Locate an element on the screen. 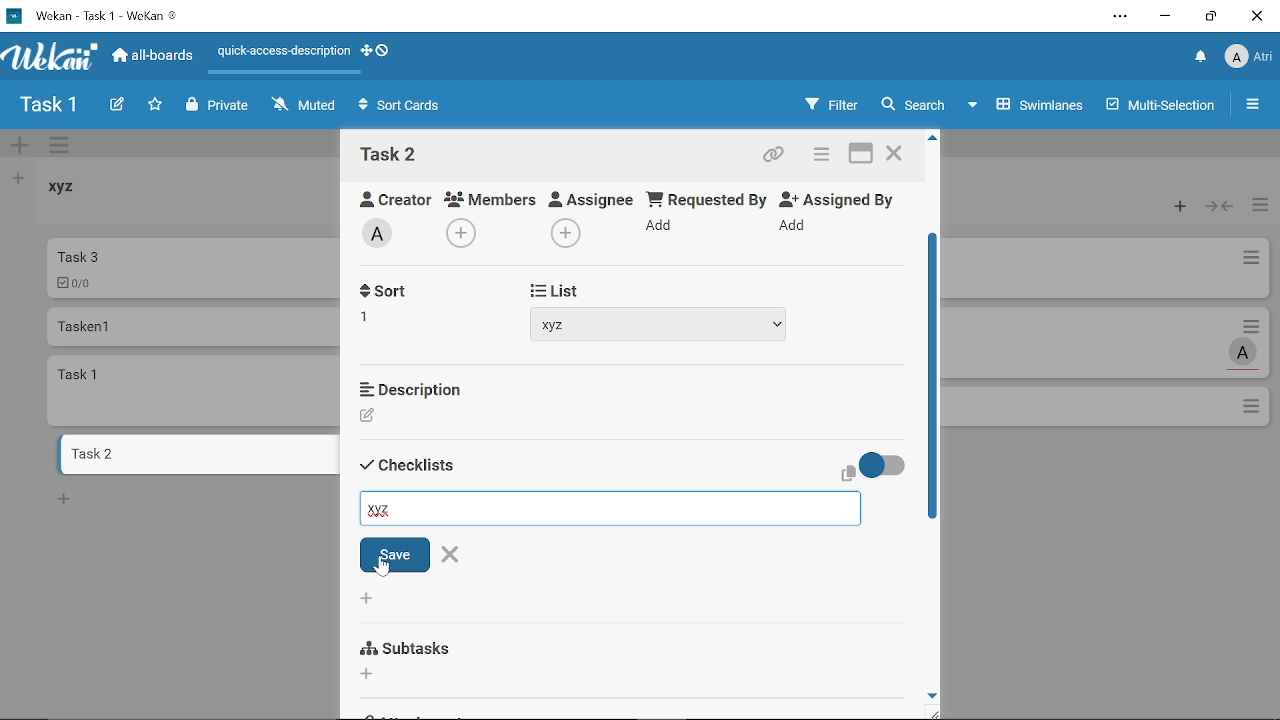 The image size is (1280, 720). Add swimlane is located at coordinates (20, 147).